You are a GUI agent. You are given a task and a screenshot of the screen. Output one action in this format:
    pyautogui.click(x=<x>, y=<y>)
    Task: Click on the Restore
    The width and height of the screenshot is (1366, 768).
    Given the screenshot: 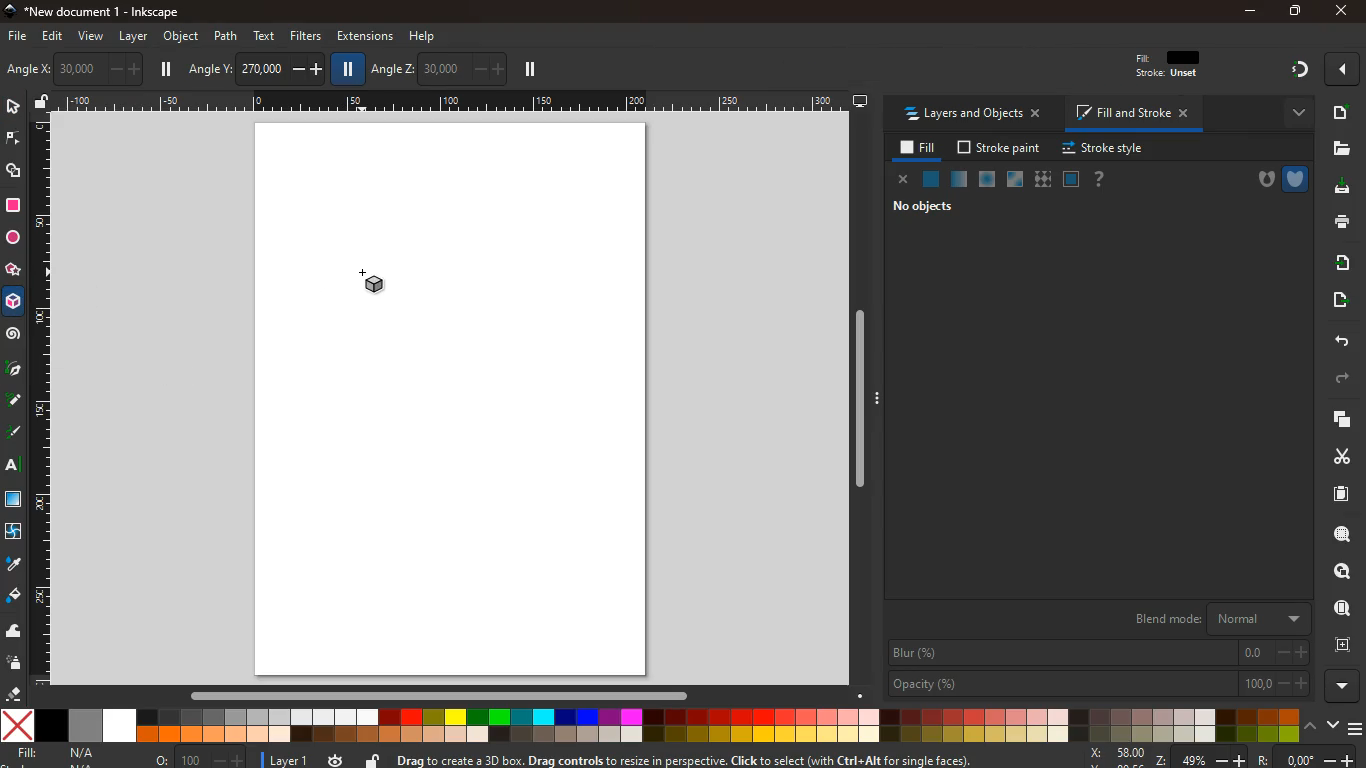 What is the action you would take?
    pyautogui.click(x=1293, y=12)
    